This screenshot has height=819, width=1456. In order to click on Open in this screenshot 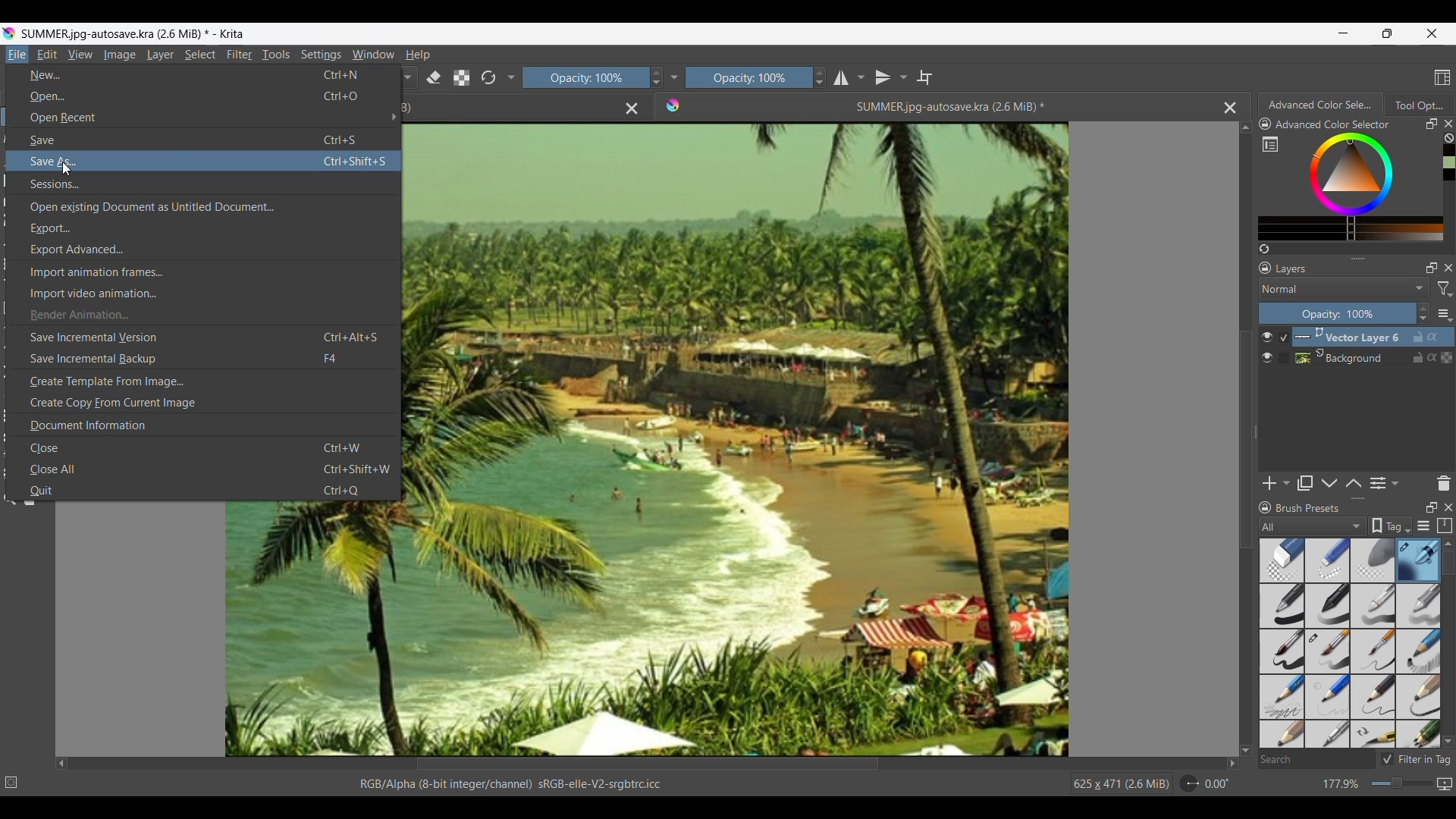, I will do `click(204, 96)`.